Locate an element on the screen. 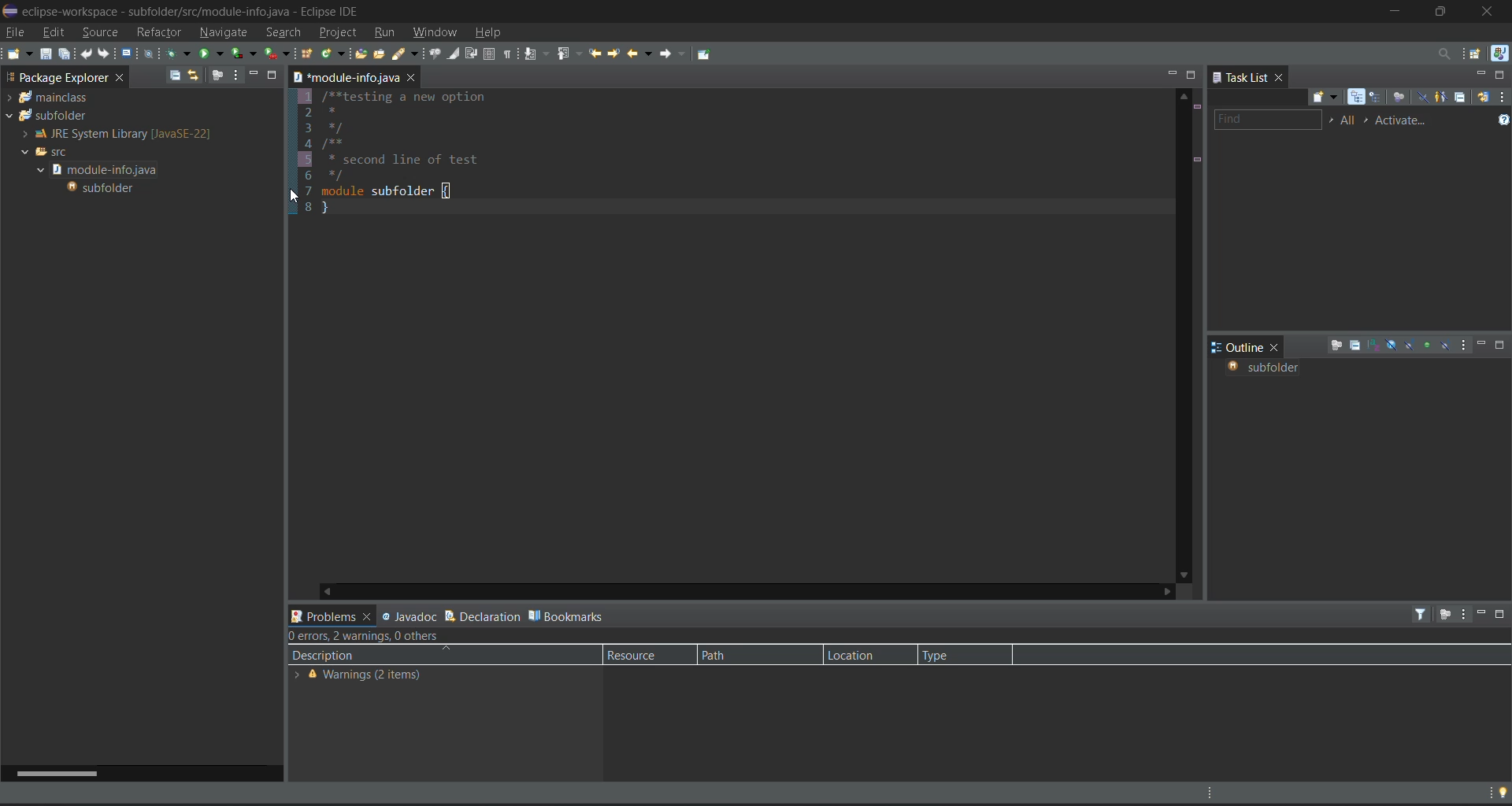 This screenshot has width=1512, height=806. next annotation is located at coordinates (539, 55).